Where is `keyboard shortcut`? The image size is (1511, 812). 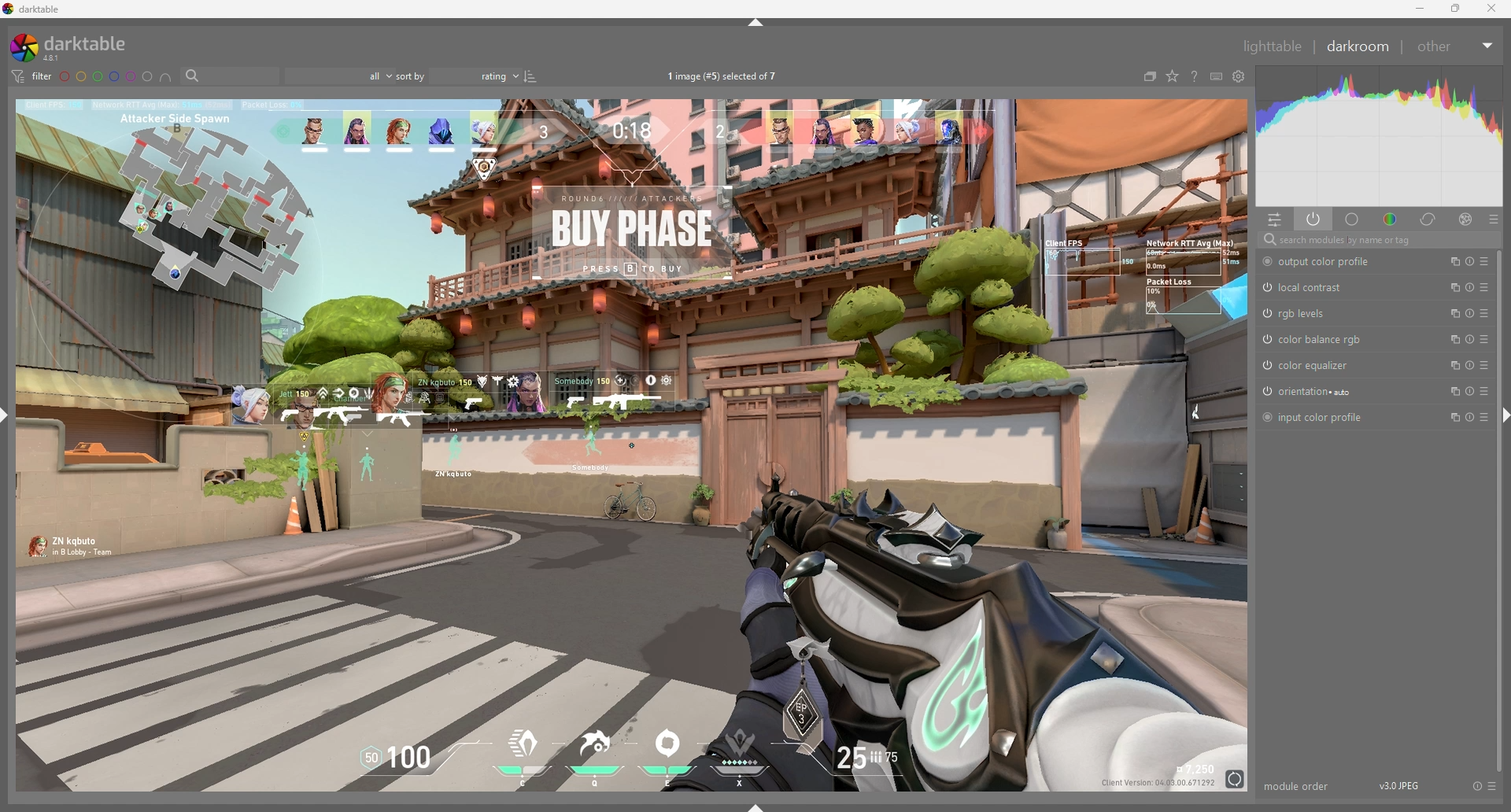 keyboard shortcut is located at coordinates (1217, 76).